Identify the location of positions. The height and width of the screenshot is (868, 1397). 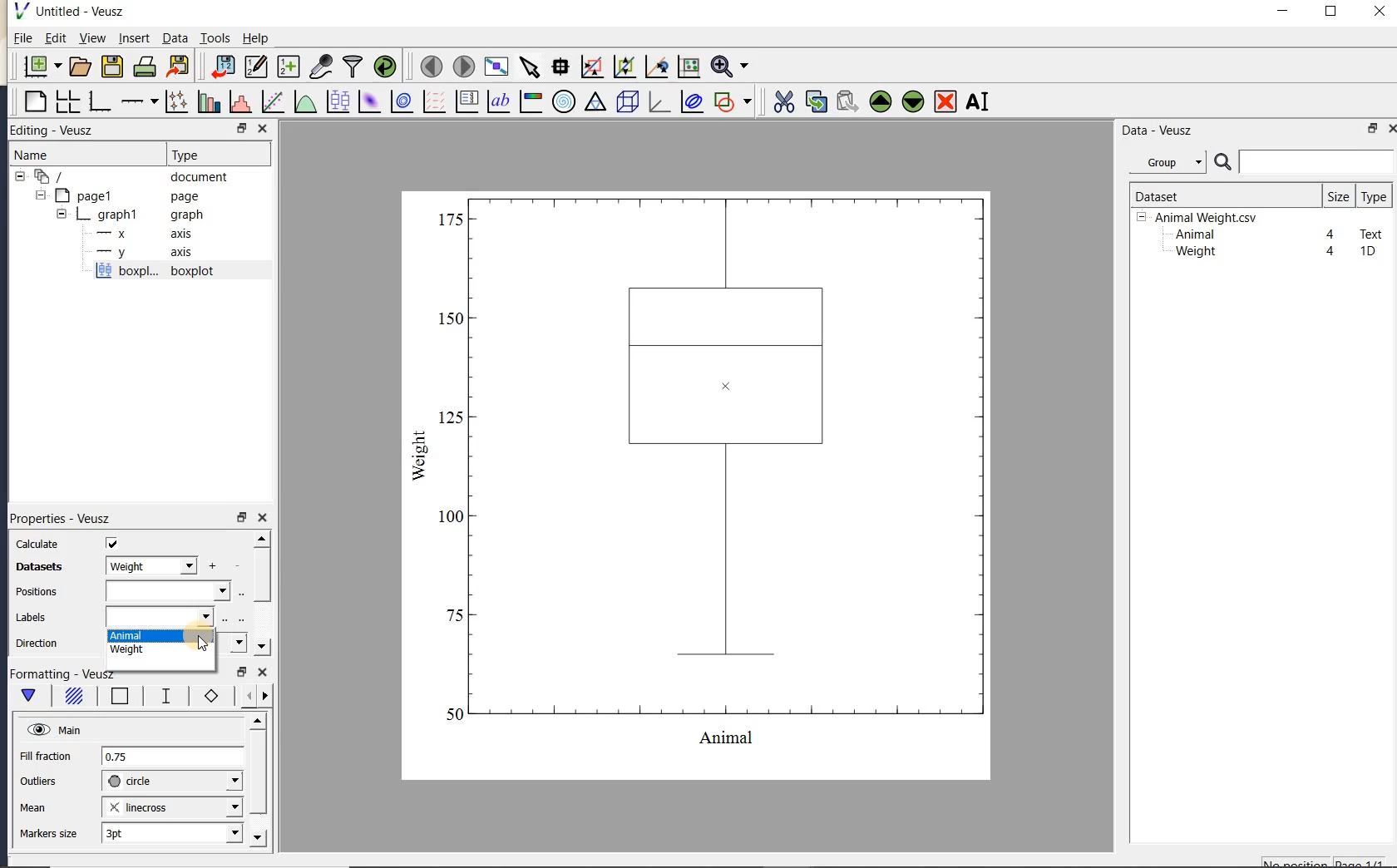
(36, 594).